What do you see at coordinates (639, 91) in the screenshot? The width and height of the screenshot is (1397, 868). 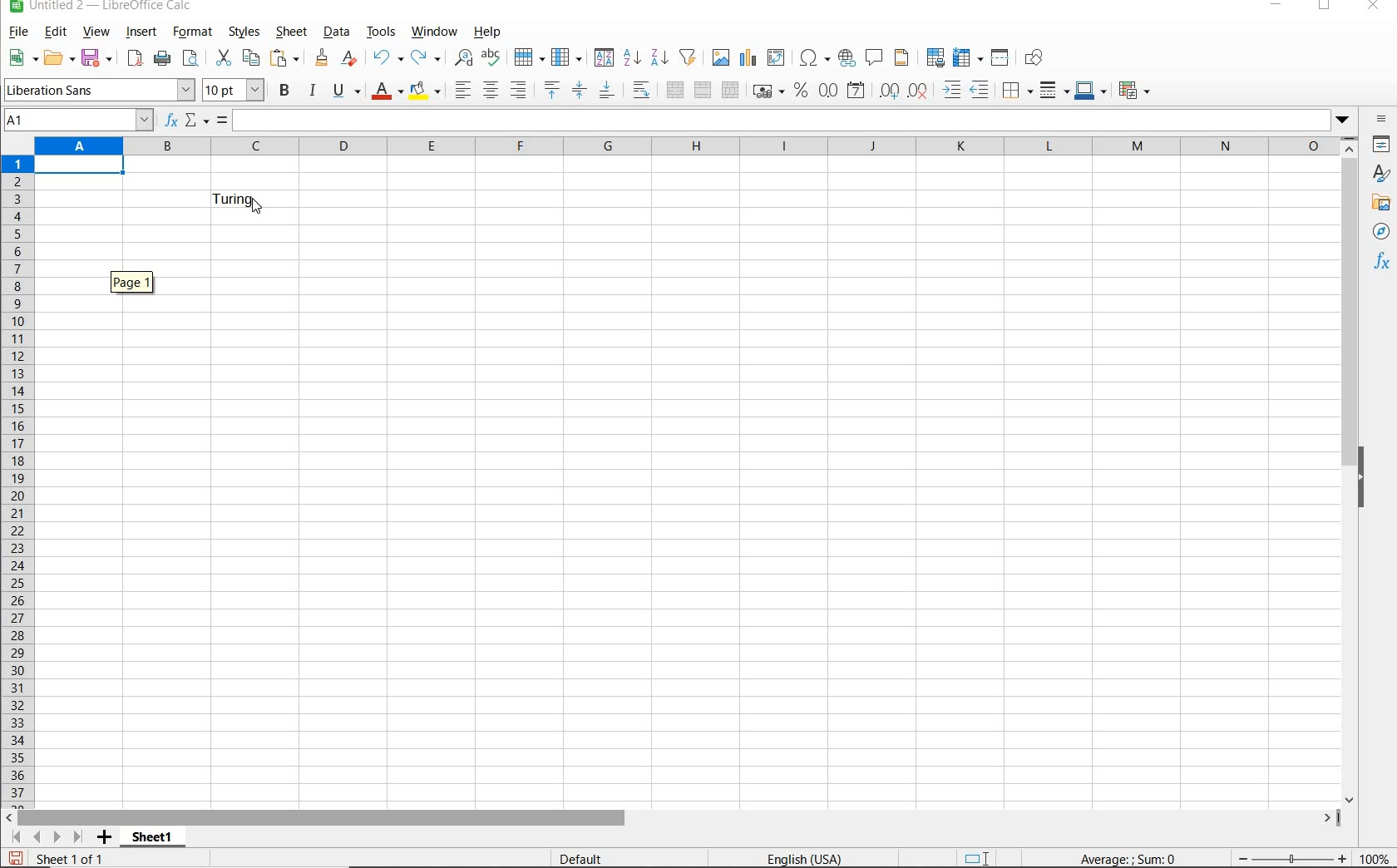 I see `WRAP TEXT` at bounding box center [639, 91].